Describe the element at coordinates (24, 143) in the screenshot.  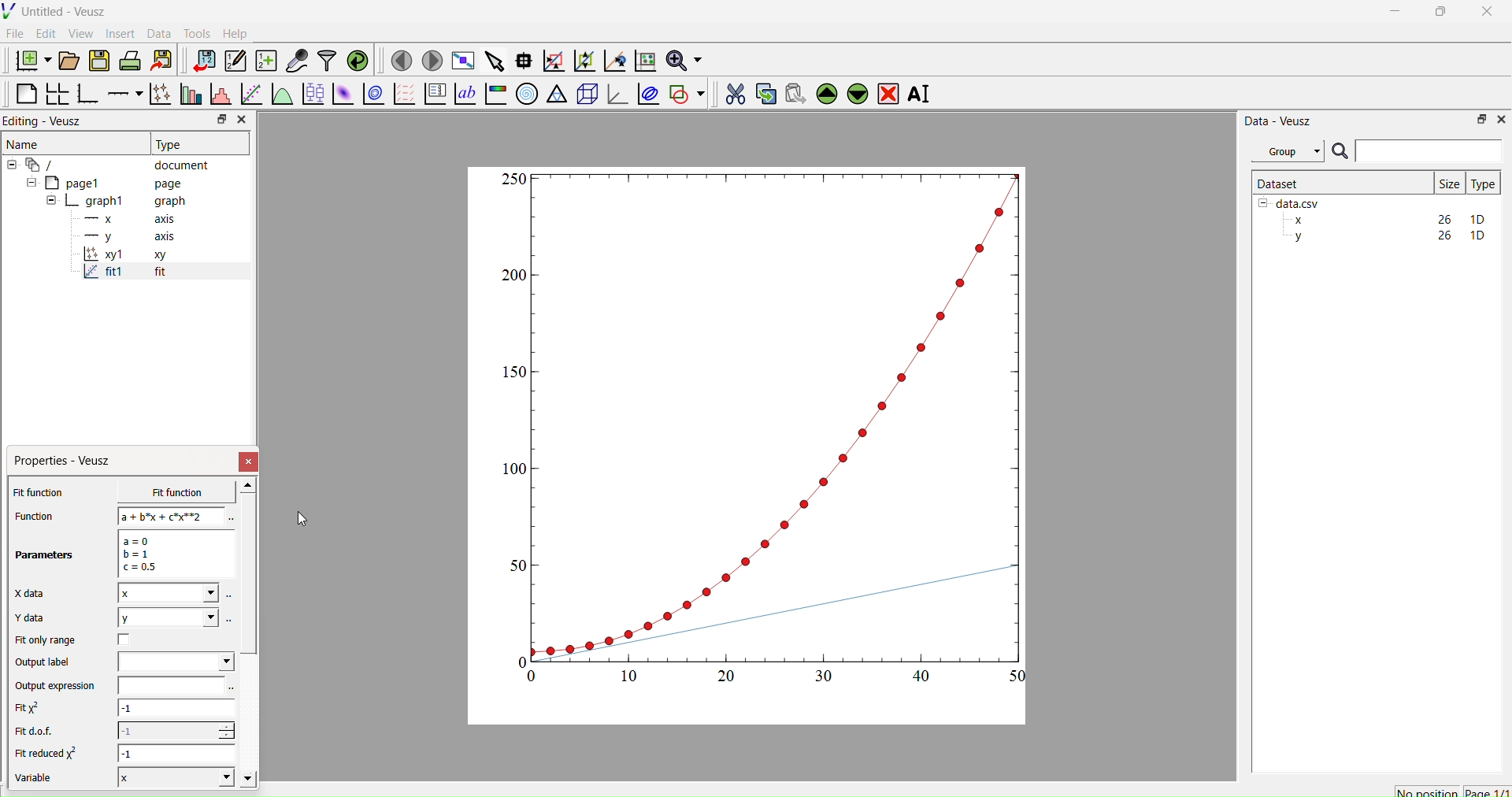
I see `Name` at that location.